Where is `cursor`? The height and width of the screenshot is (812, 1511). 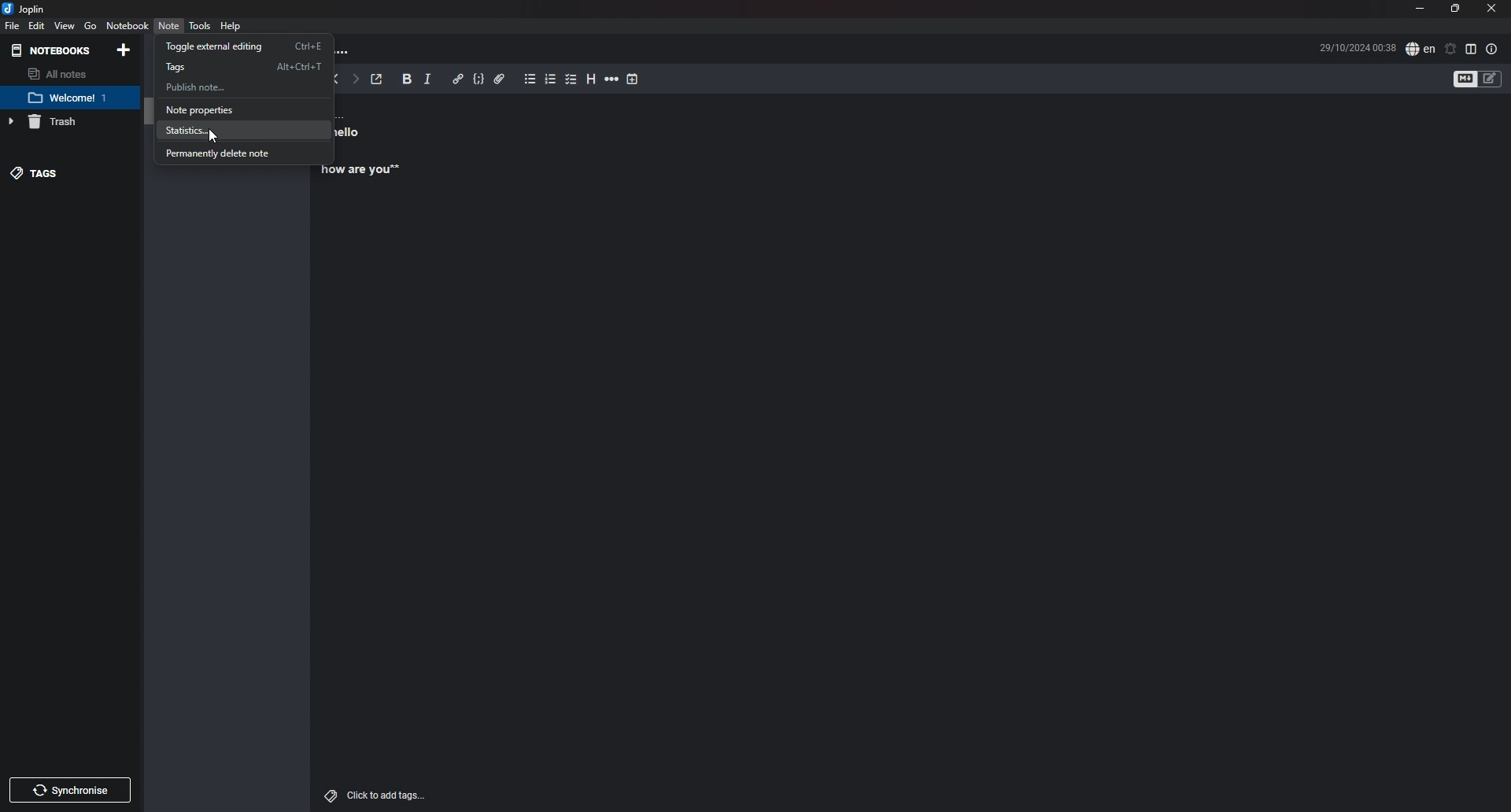 cursor is located at coordinates (214, 137).